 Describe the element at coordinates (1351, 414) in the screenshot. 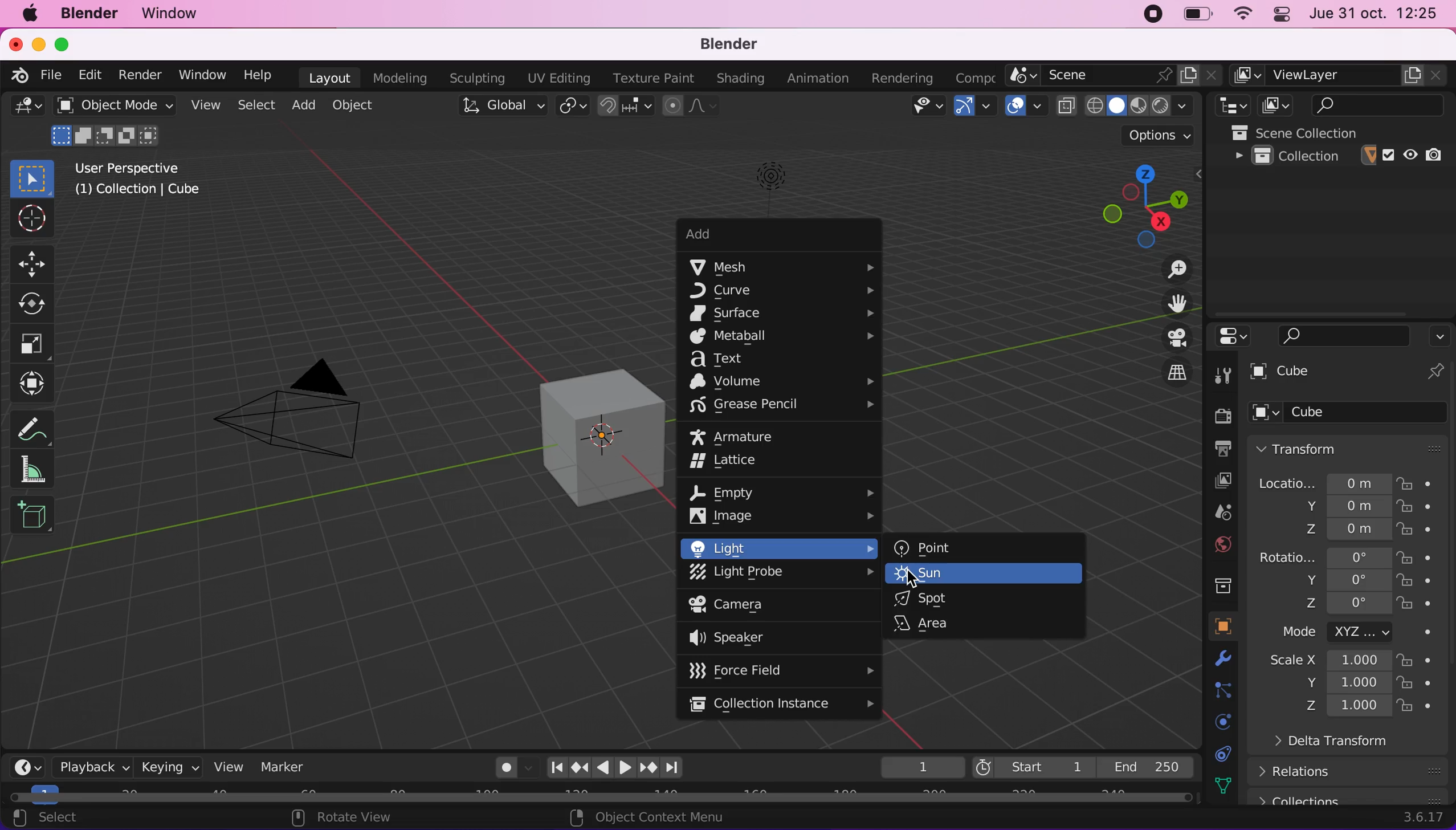

I see `cube` at that location.